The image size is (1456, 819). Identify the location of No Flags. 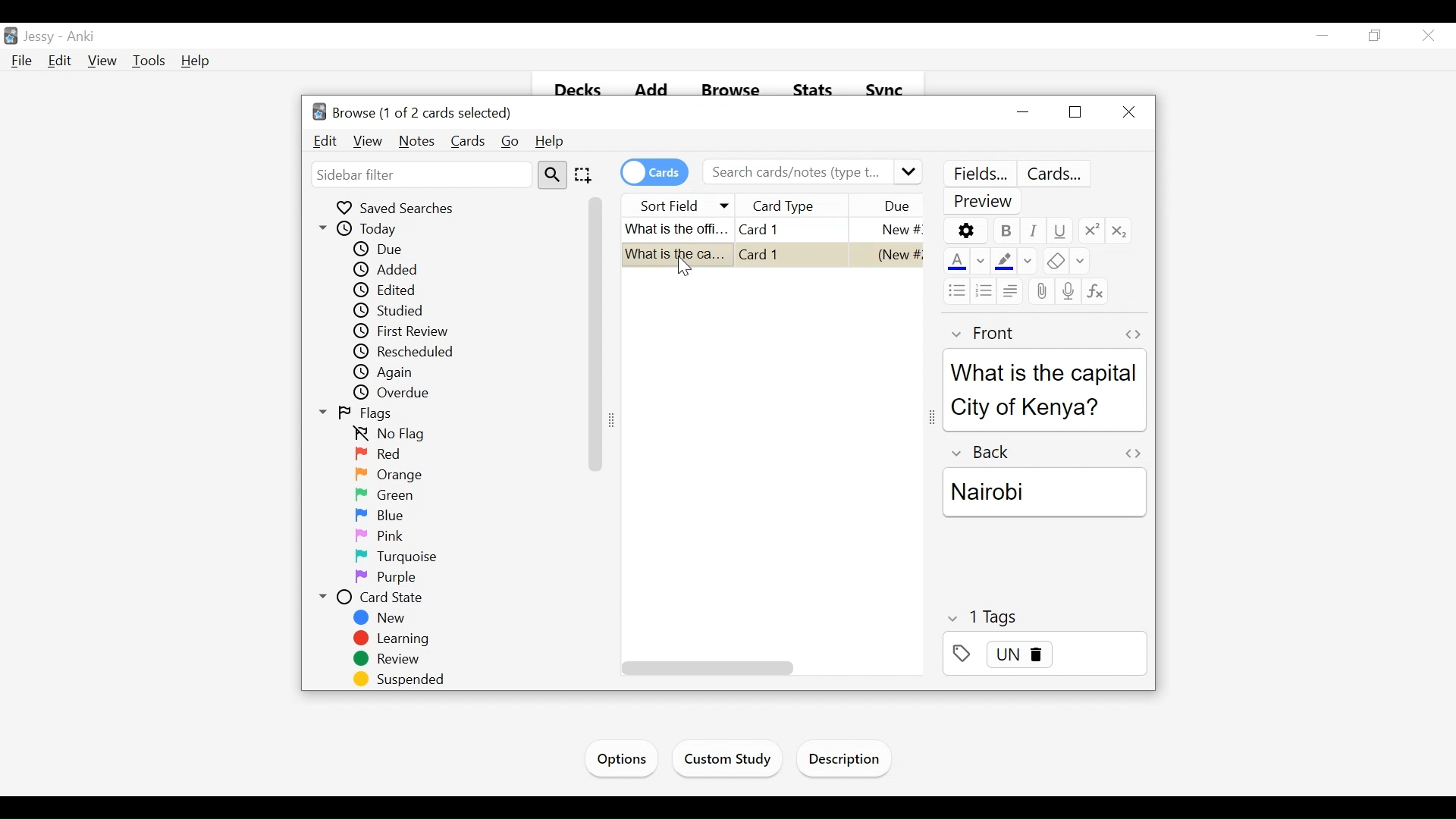
(395, 435).